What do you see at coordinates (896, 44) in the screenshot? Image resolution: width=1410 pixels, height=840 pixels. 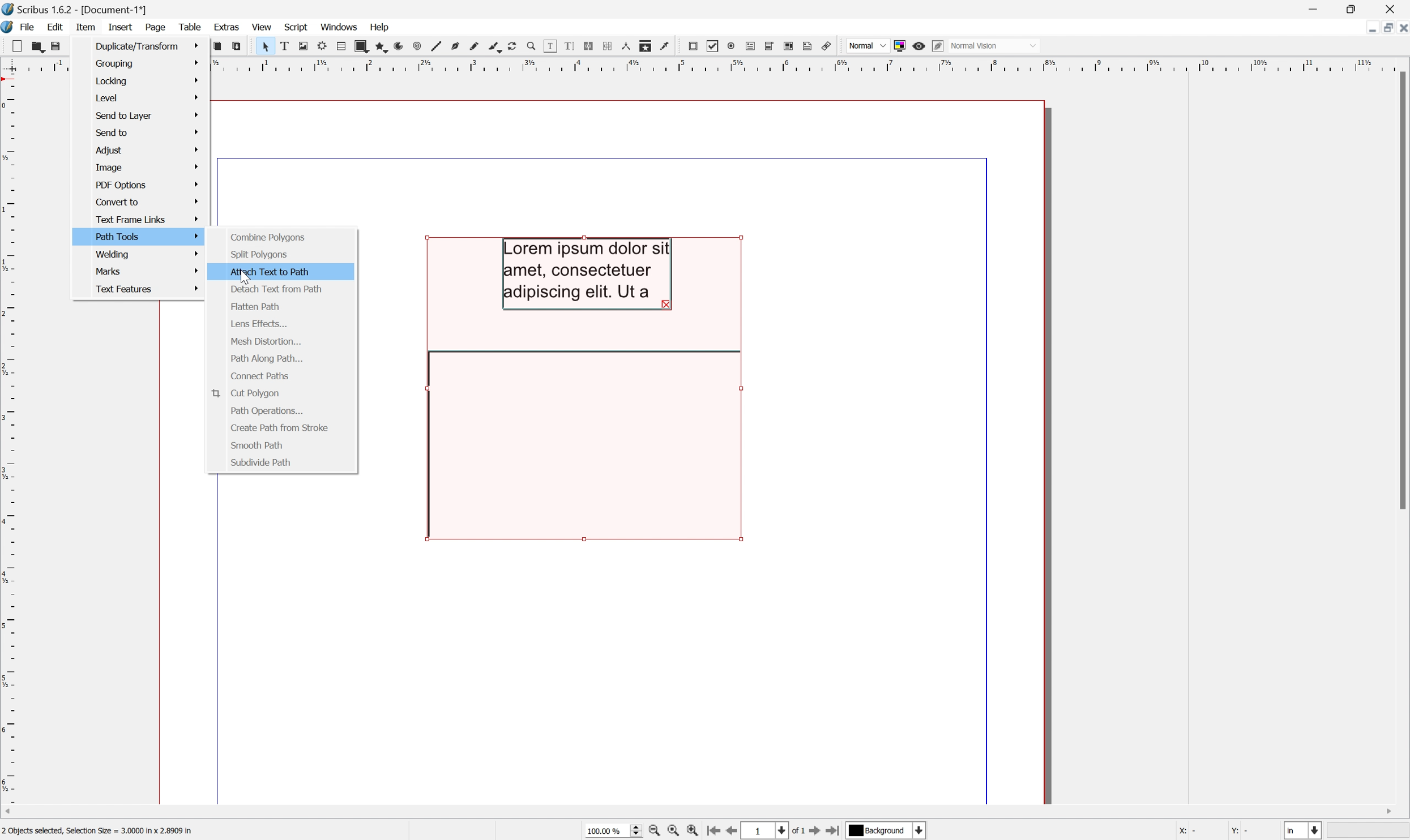 I see `Toggle color management system` at bounding box center [896, 44].